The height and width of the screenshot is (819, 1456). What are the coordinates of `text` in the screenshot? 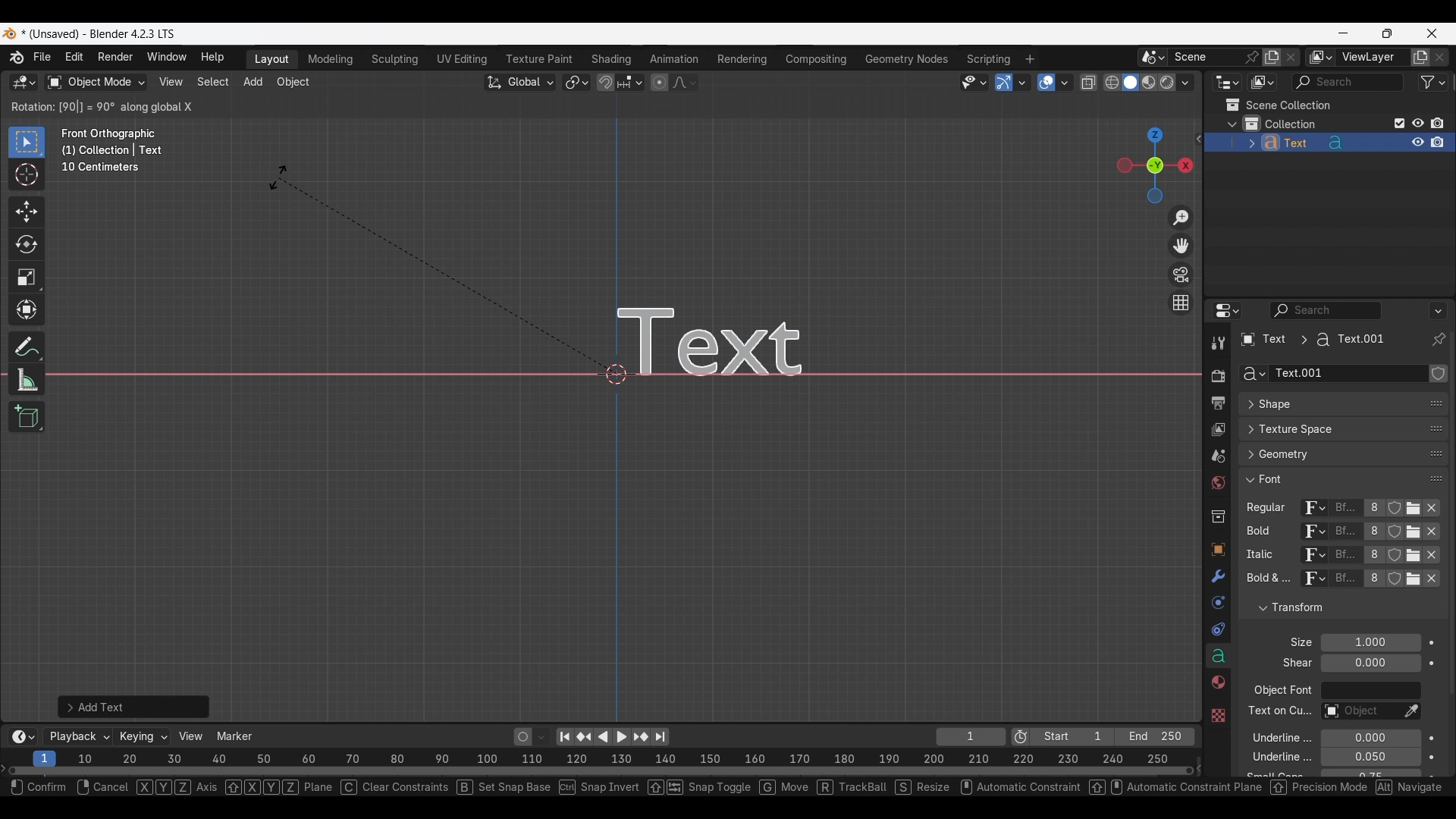 It's located at (1266, 580).